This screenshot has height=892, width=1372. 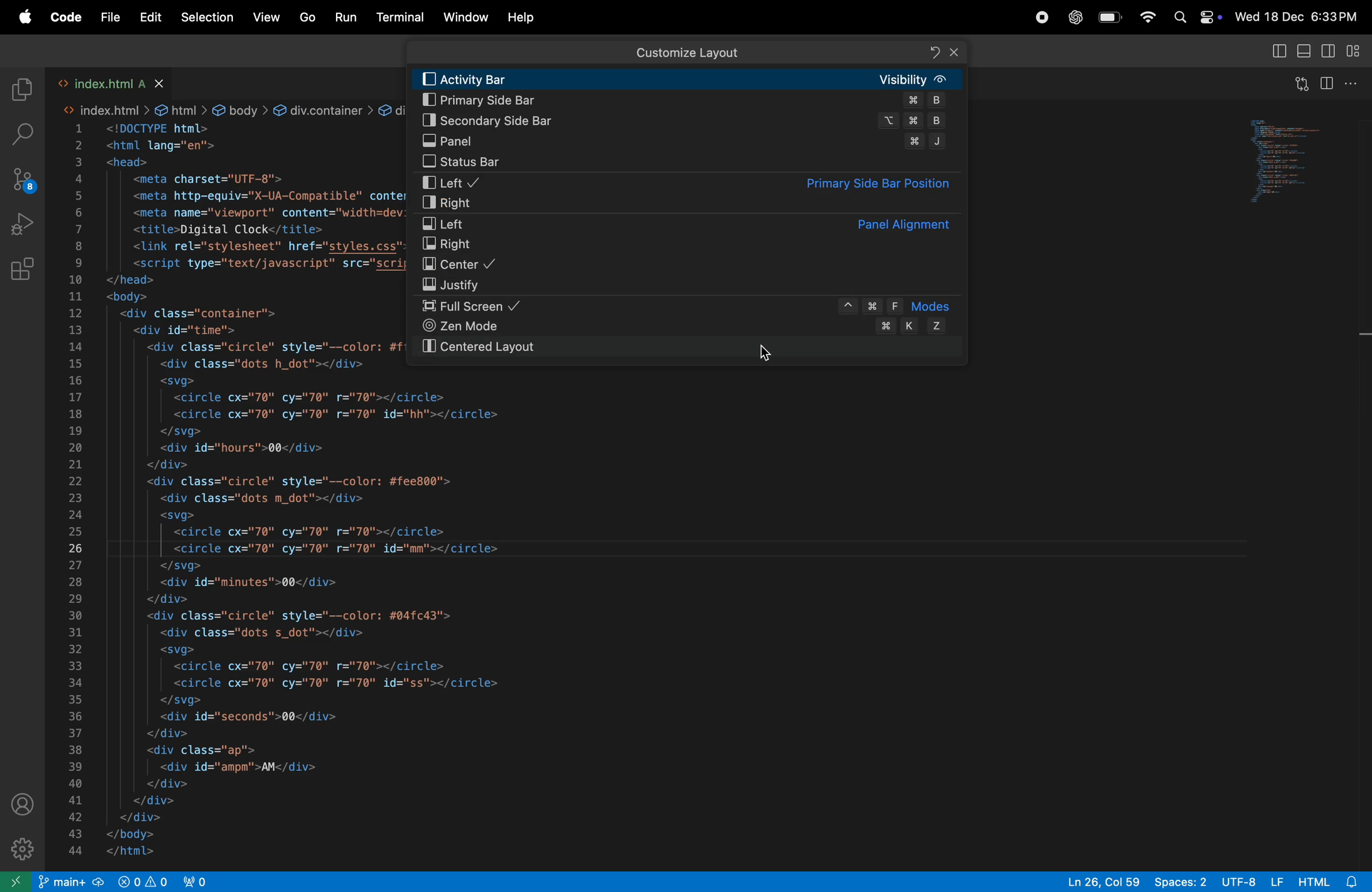 I want to click on settings, so click(x=23, y=849).